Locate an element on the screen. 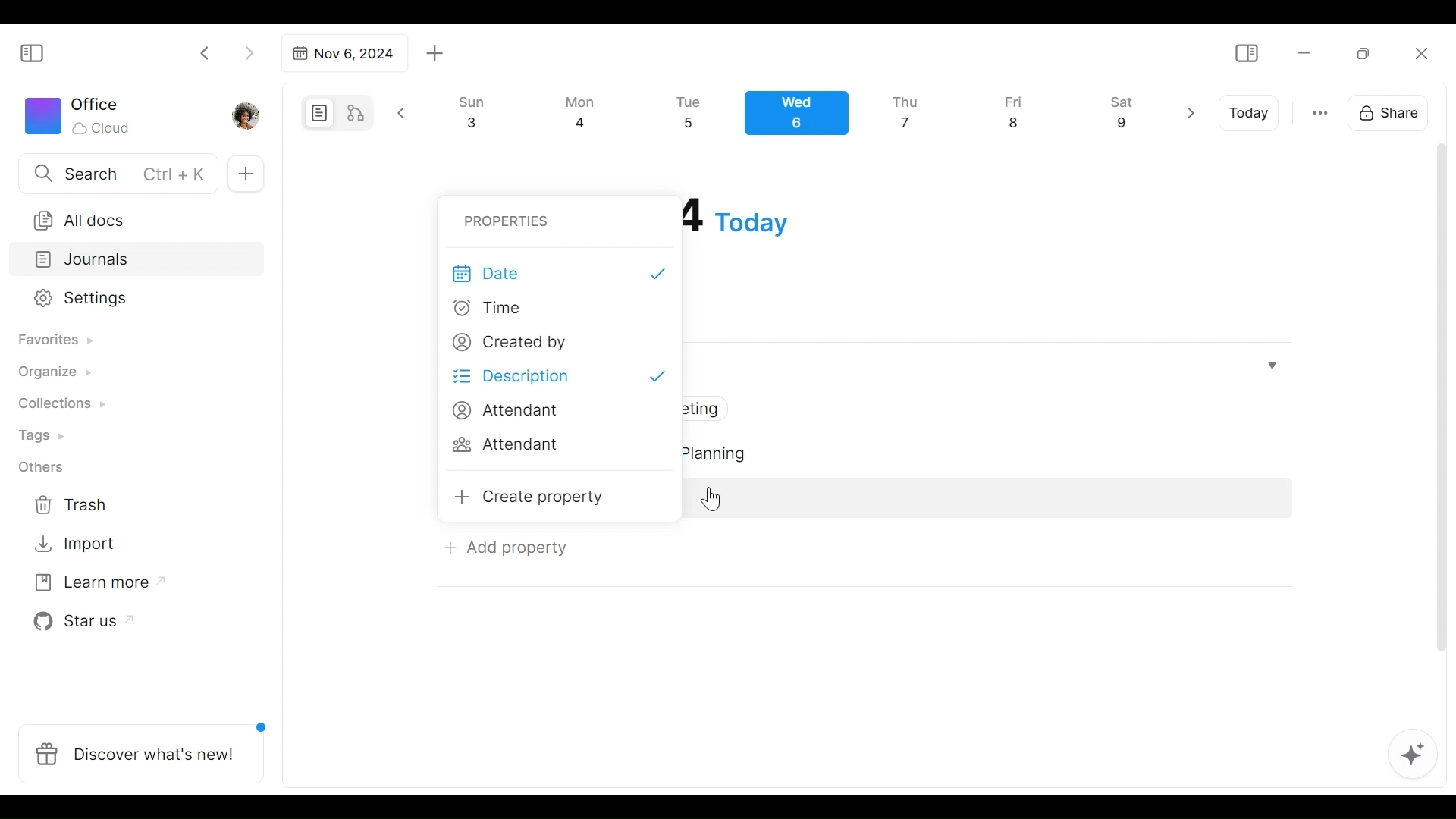  AFFiNE AI is located at coordinates (1413, 756).